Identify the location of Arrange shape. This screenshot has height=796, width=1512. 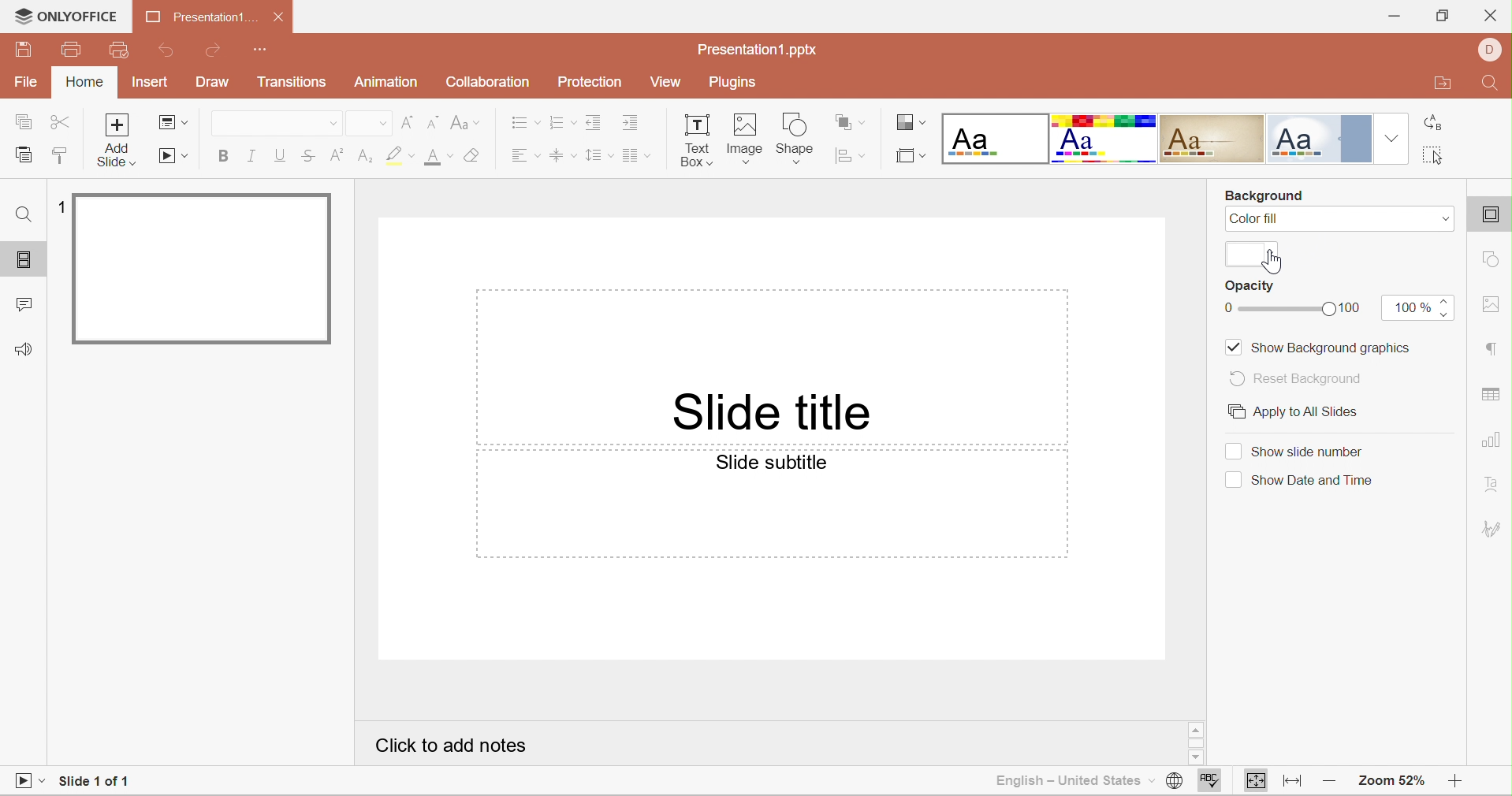
(852, 121).